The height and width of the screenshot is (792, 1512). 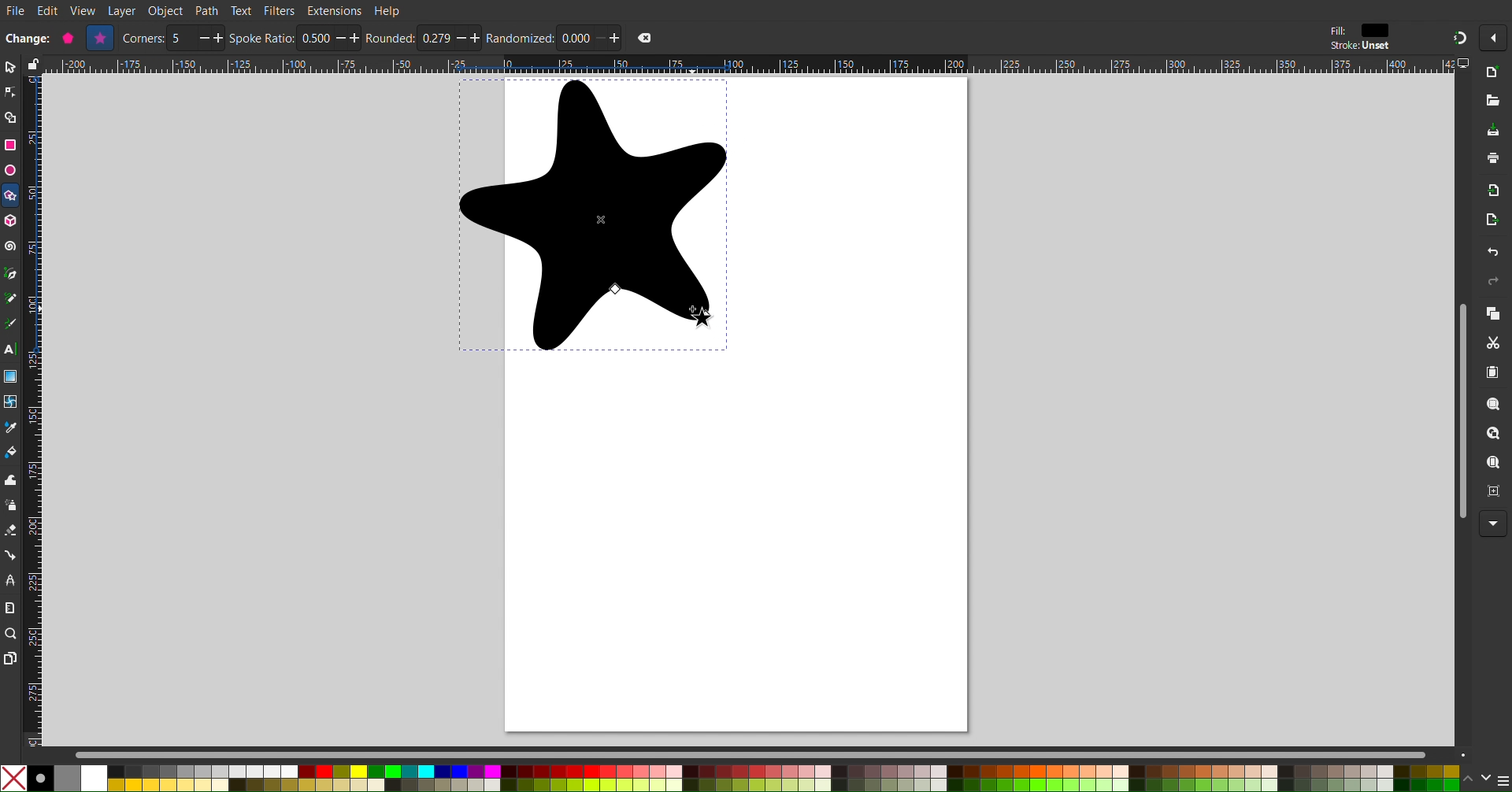 I want to click on Ellipse, so click(x=9, y=170).